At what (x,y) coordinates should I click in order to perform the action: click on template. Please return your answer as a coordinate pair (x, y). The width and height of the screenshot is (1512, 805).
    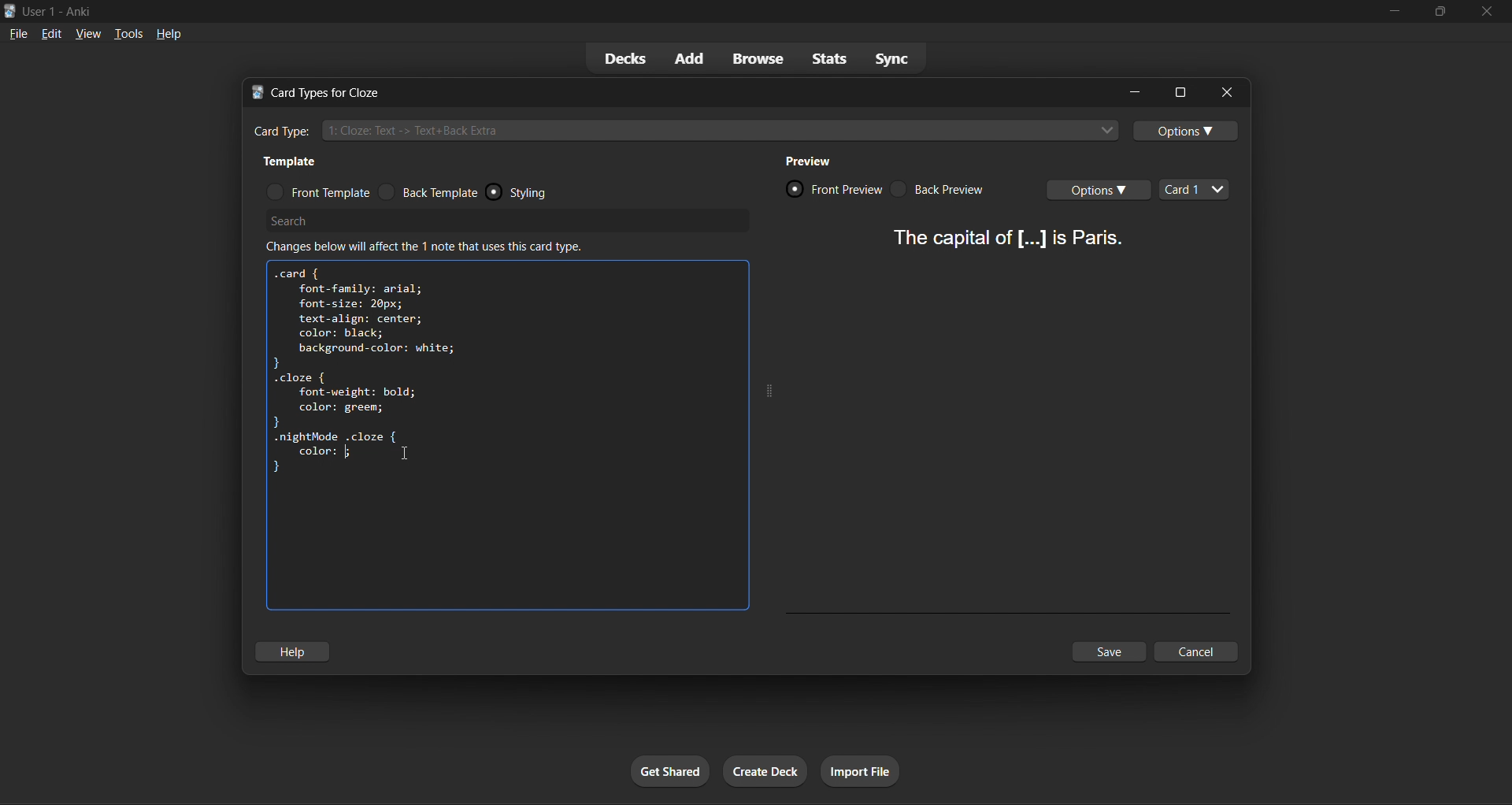
    Looking at the image, I should click on (297, 162).